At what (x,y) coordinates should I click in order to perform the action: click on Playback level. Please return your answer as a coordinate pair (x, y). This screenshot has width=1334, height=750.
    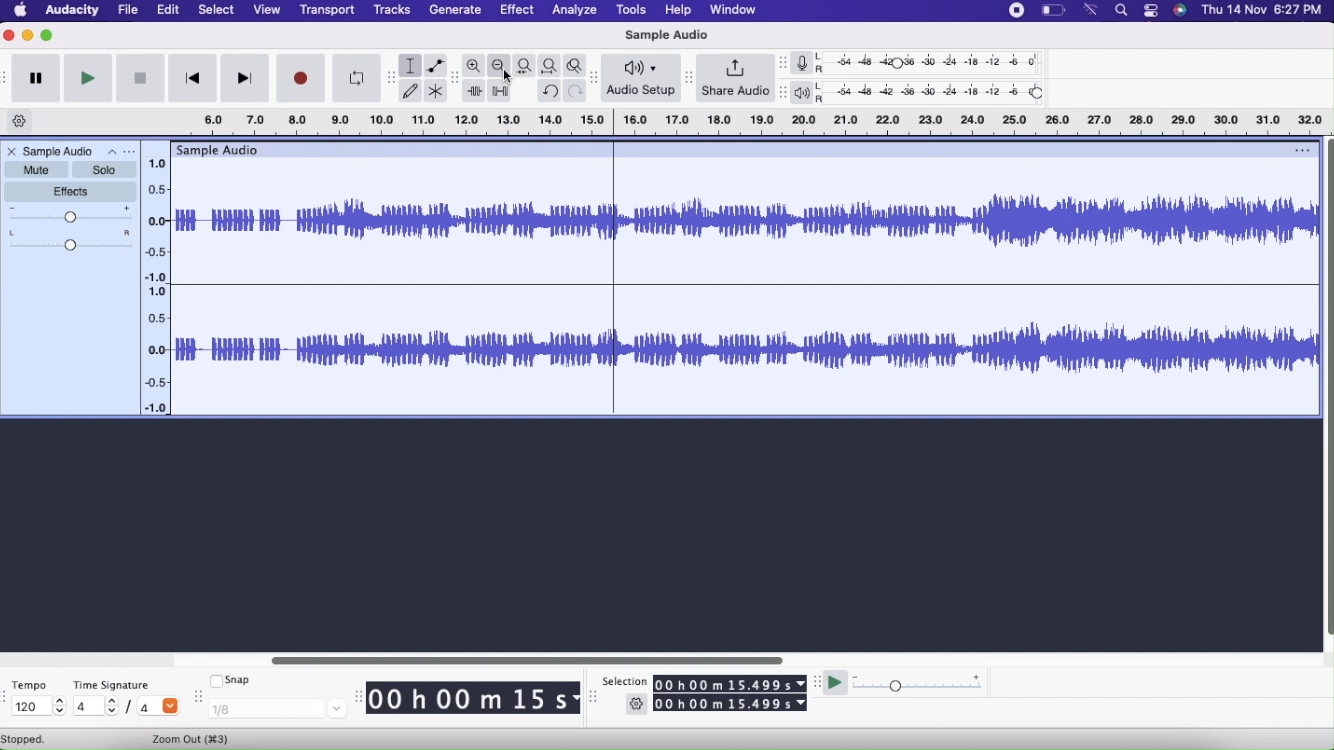
    Looking at the image, I should click on (939, 94).